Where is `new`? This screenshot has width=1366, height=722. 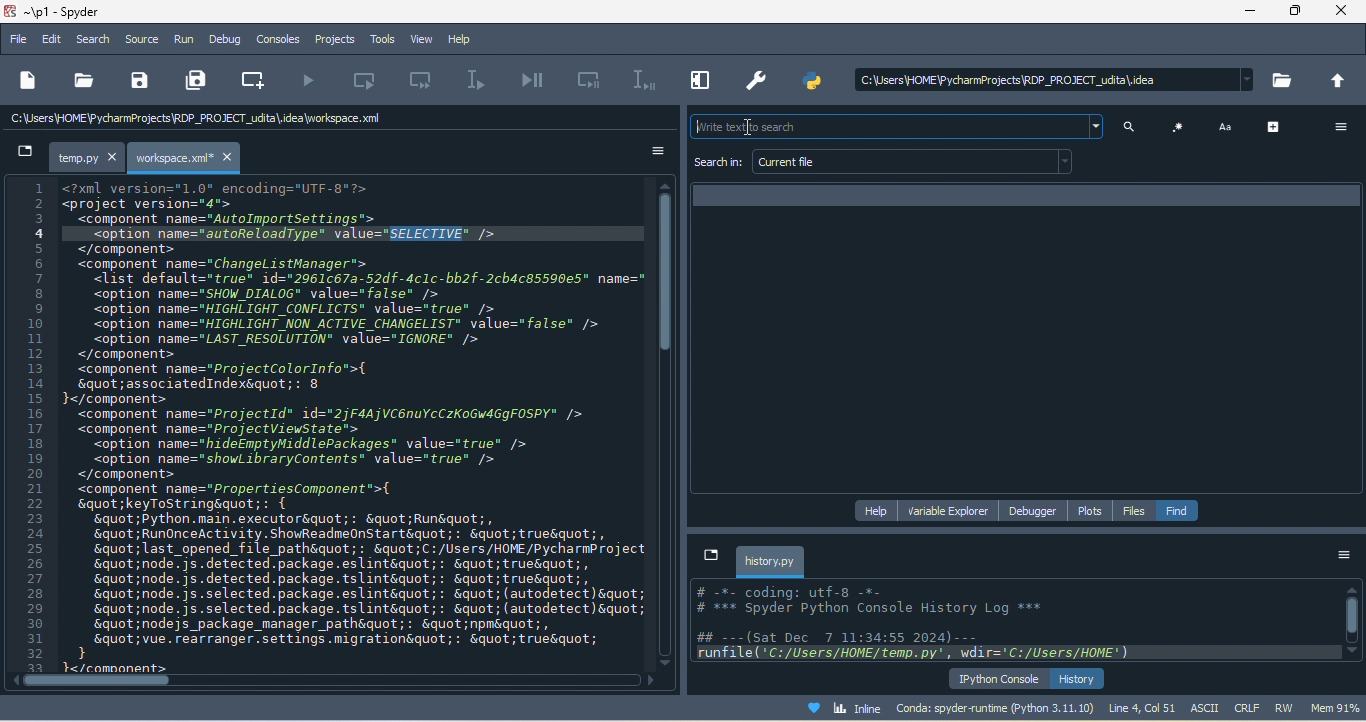
new is located at coordinates (28, 79).